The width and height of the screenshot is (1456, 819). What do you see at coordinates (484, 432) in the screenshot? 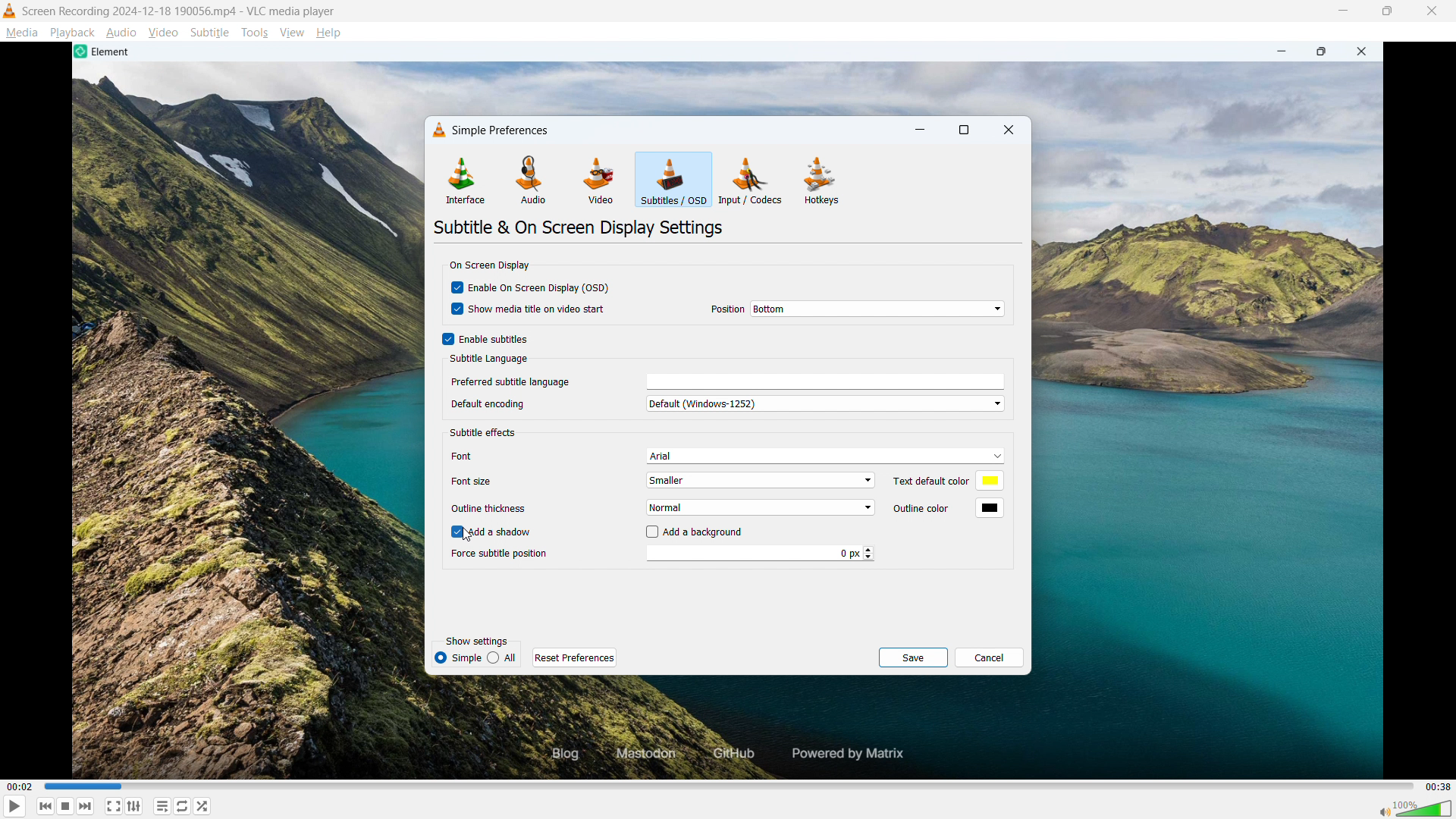
I see `Subtitle effects ` at bounding box center [484, 432].